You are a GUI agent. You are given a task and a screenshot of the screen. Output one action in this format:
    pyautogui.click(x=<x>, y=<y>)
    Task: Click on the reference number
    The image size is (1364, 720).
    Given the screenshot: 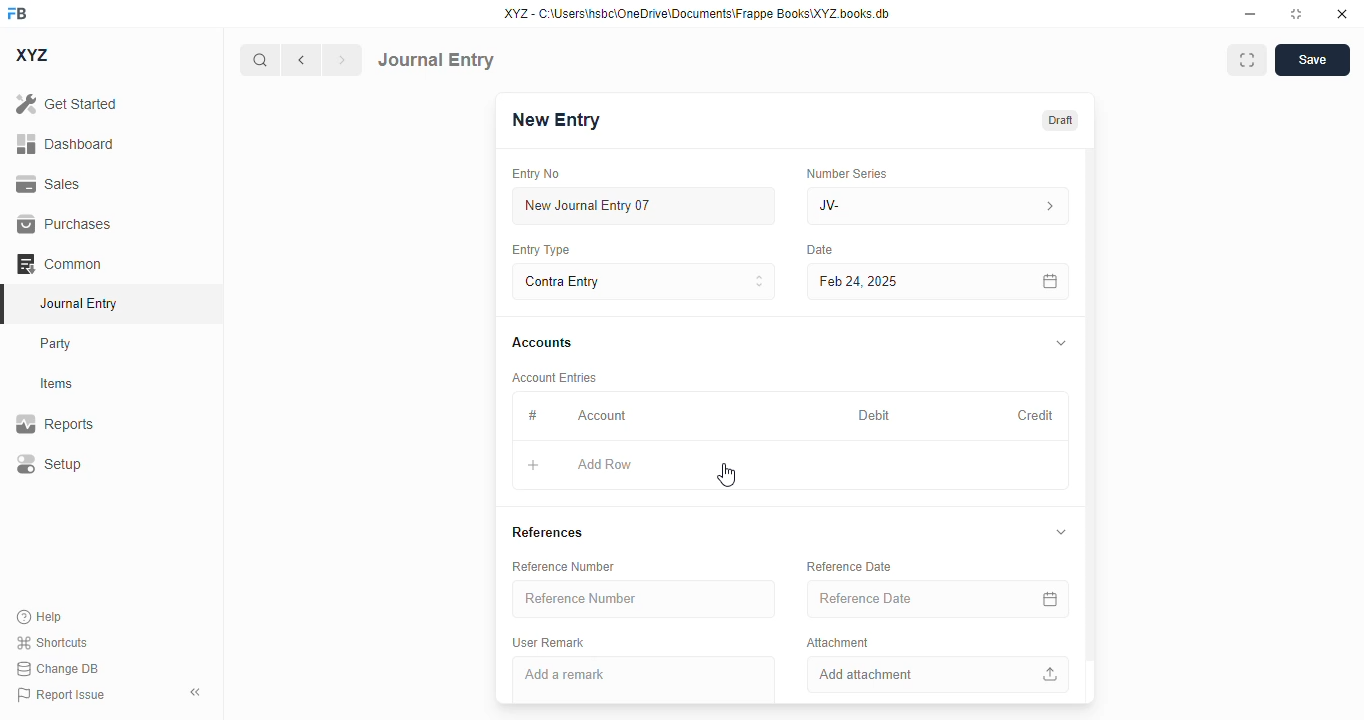 What is the action you would take?
    pyautogui.click(x=645, y=599)
    